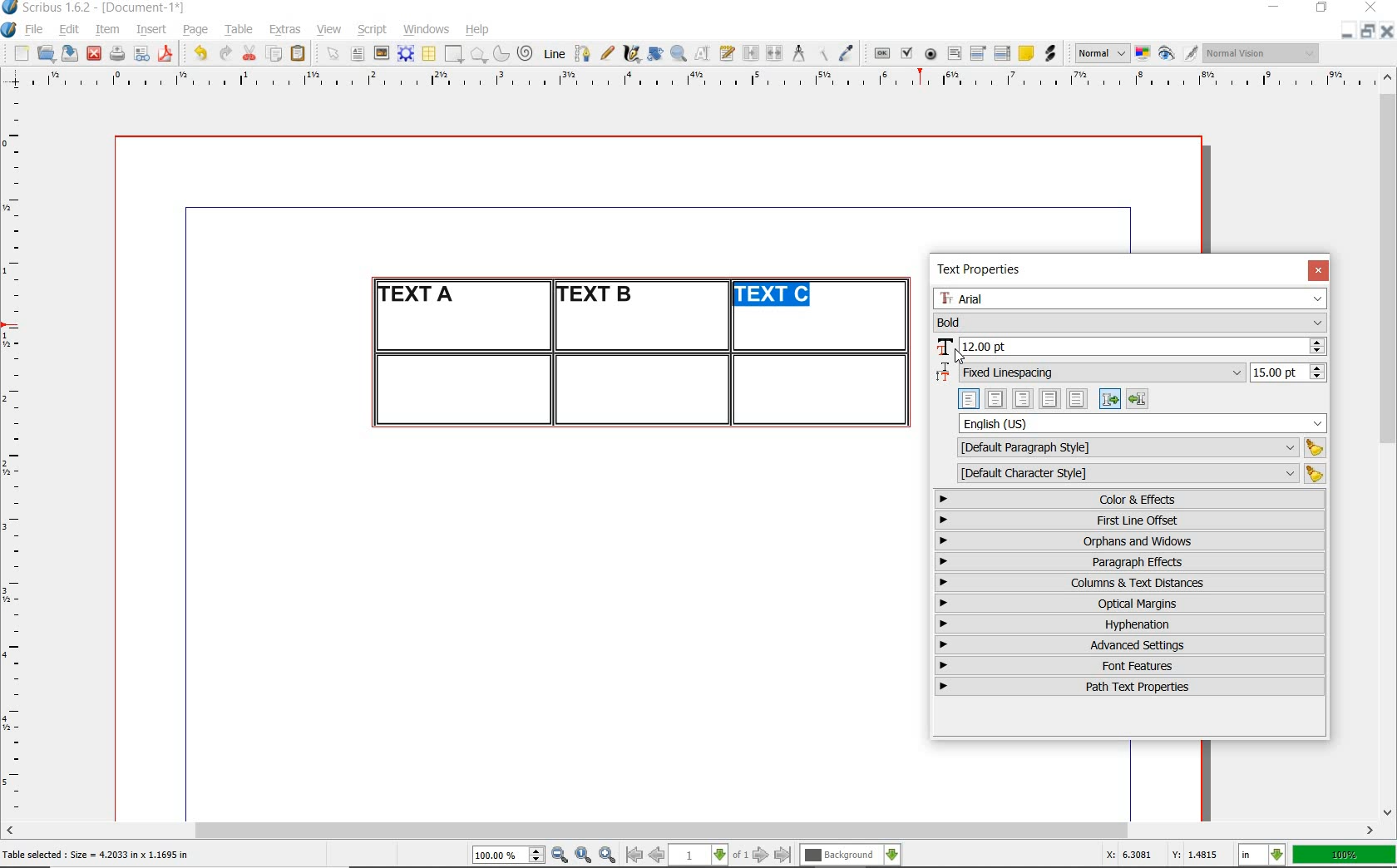 This screenshot has height=868, width=1397. I want to click on Bezier curve, so click(581, 53).